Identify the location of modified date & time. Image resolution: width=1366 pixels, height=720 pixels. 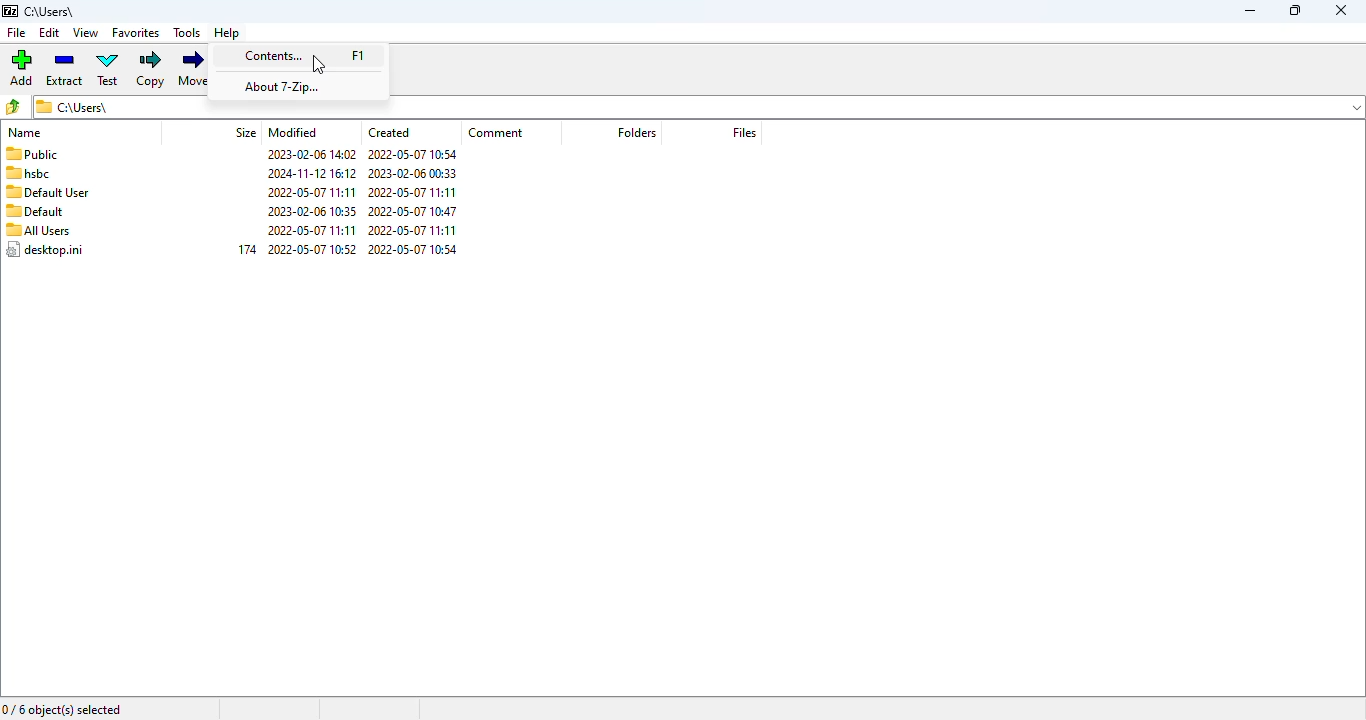
(312, 201).